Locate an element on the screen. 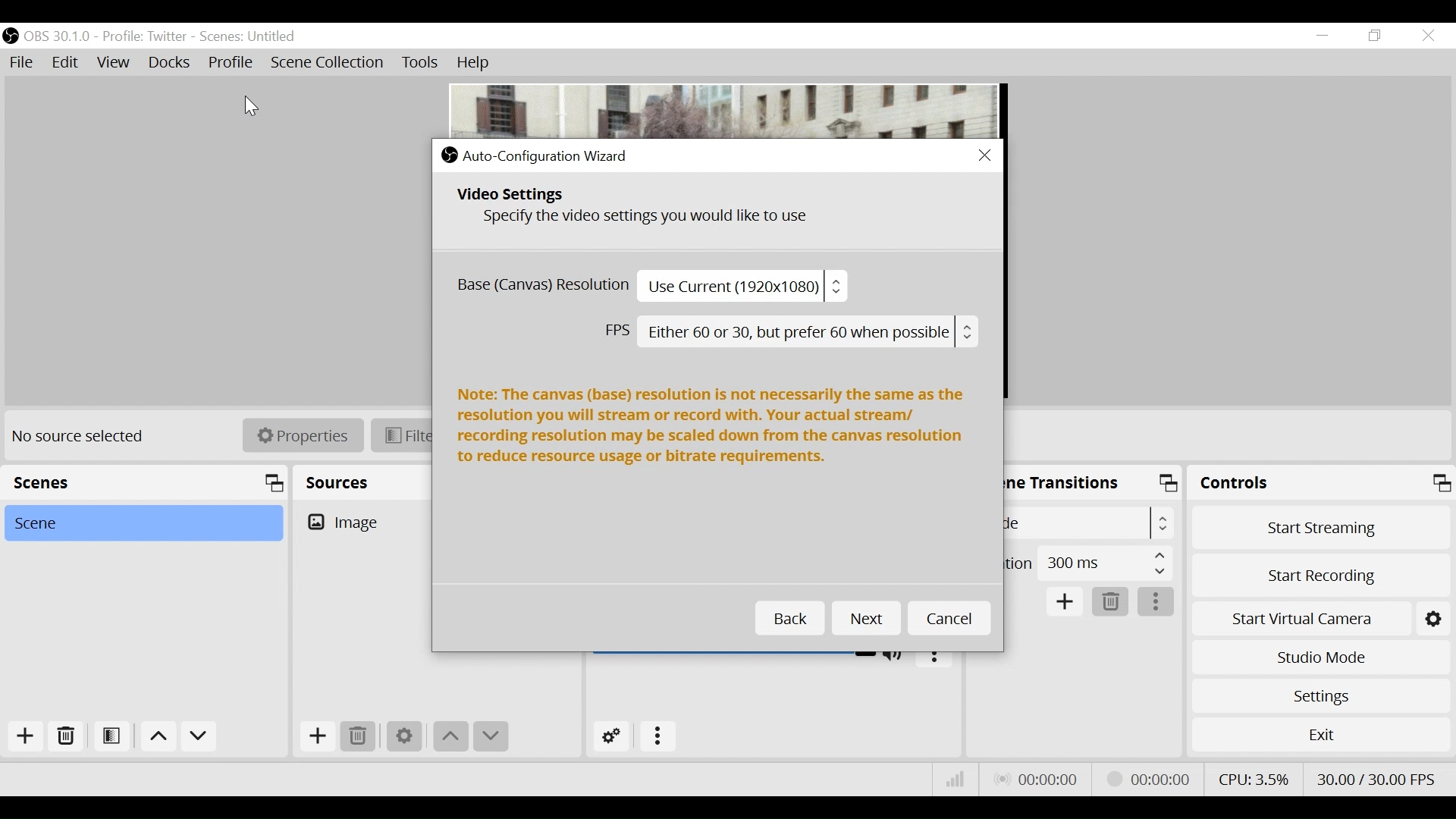 The image size is (1456, 819). Profile is located at coordinates (145, 36).